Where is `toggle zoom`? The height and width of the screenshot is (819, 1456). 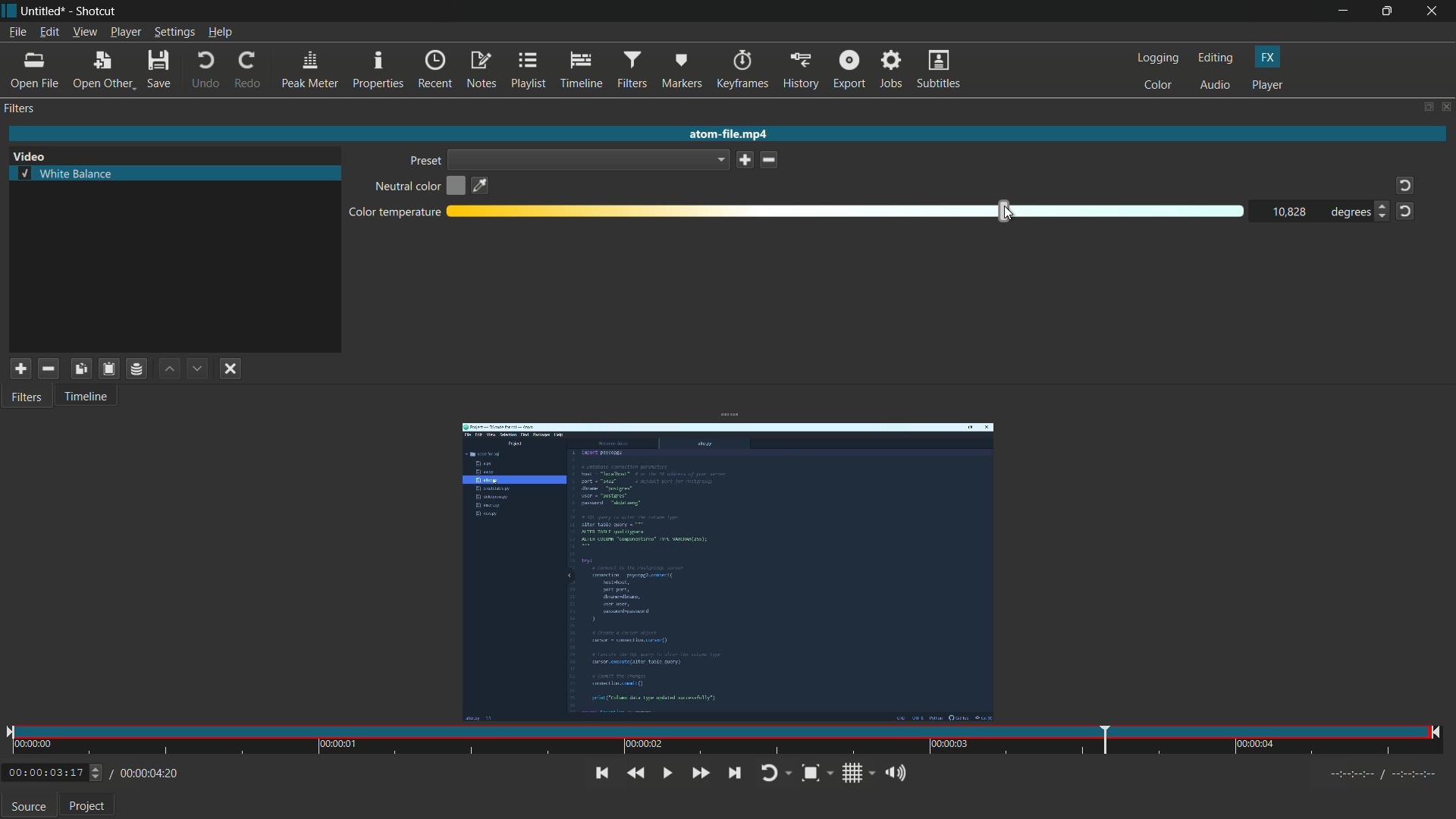 toggle zoom is located at coordinates (817, 773).